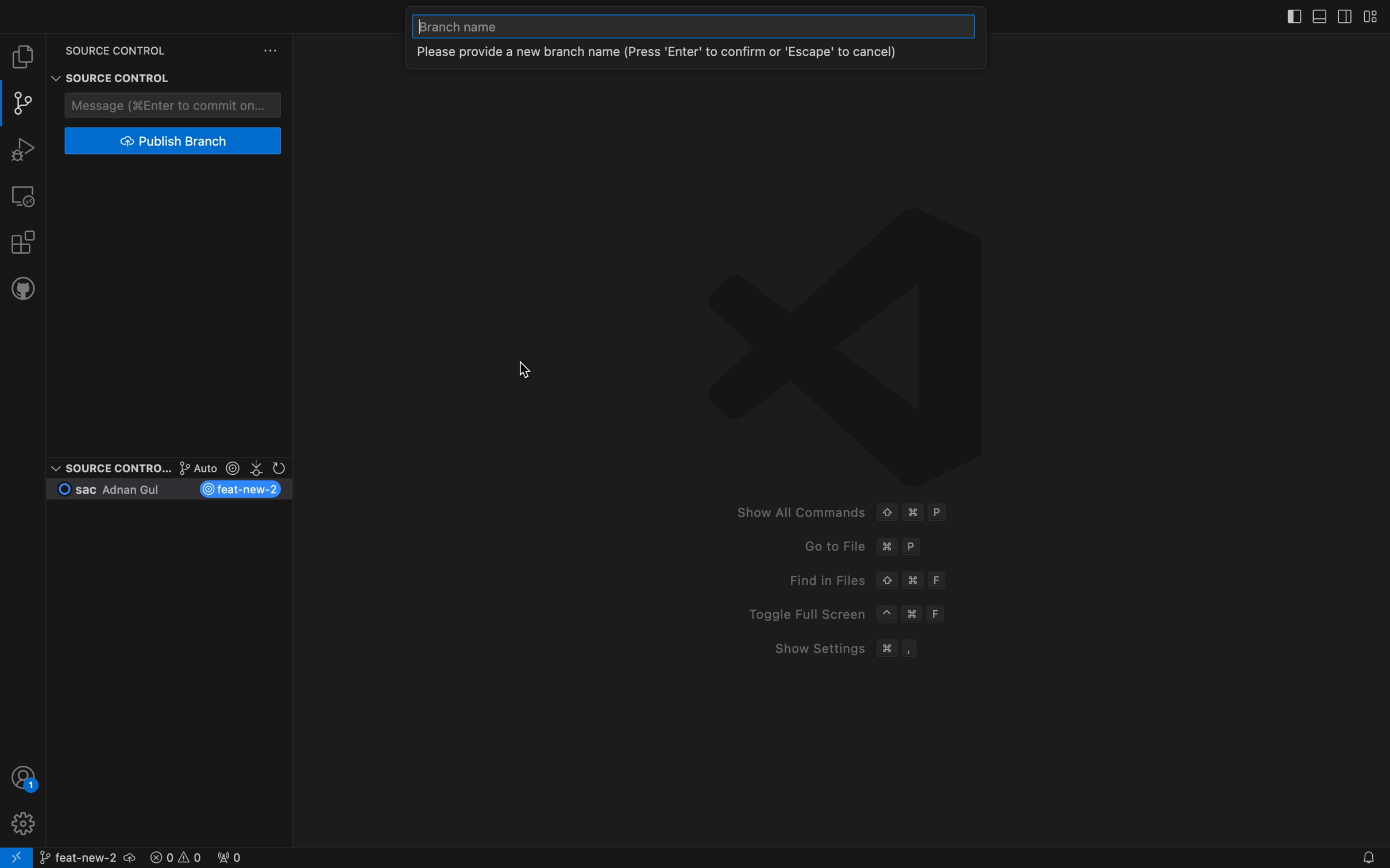 The height and width of the screenshot is (868, 1390). What do you see at coordinates (23, 287) in the screenshot?
I see `github` at bounding box center [23, 287].